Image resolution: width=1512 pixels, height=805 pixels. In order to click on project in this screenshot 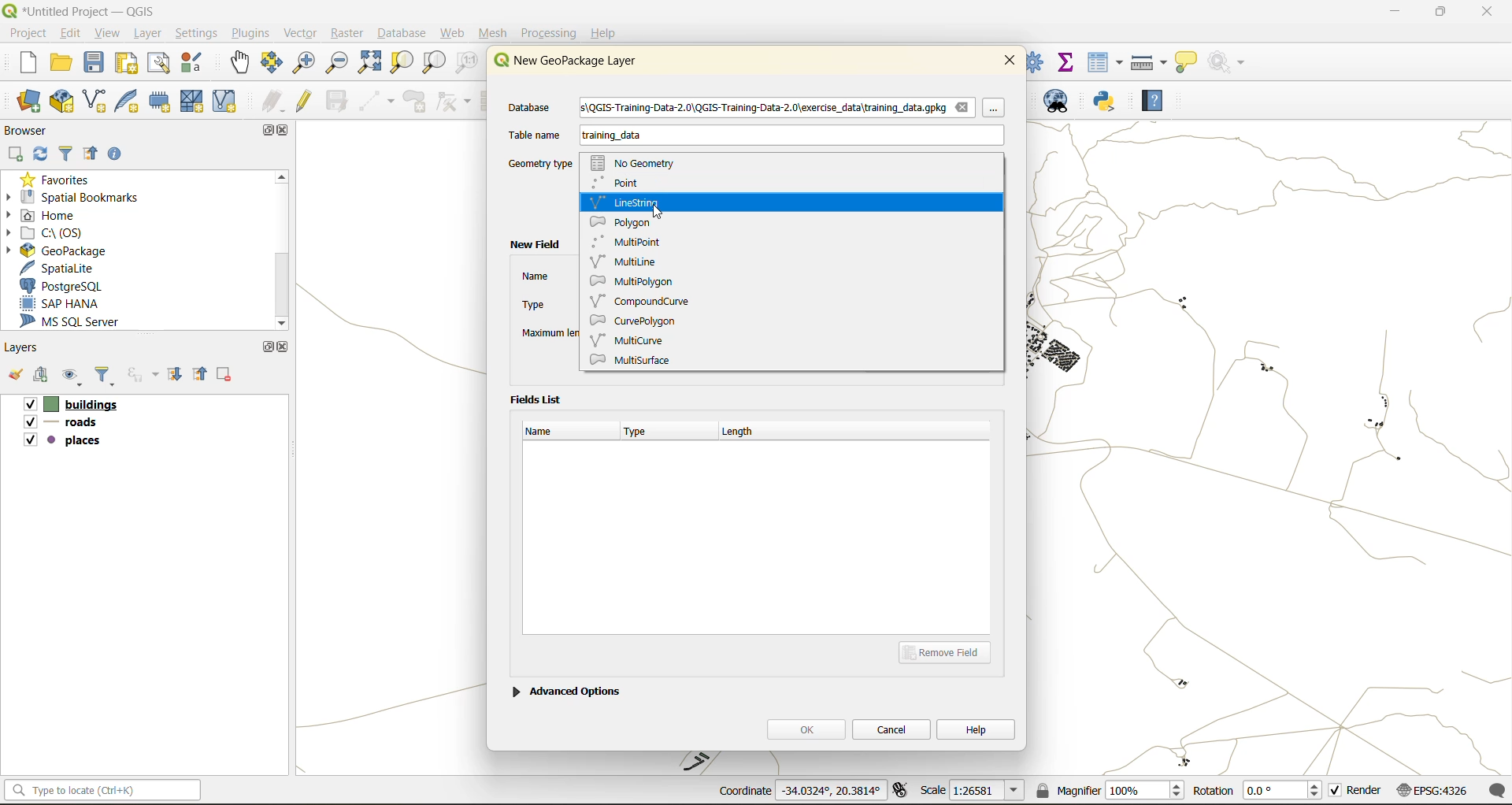, I will do `click(27, 32)`.